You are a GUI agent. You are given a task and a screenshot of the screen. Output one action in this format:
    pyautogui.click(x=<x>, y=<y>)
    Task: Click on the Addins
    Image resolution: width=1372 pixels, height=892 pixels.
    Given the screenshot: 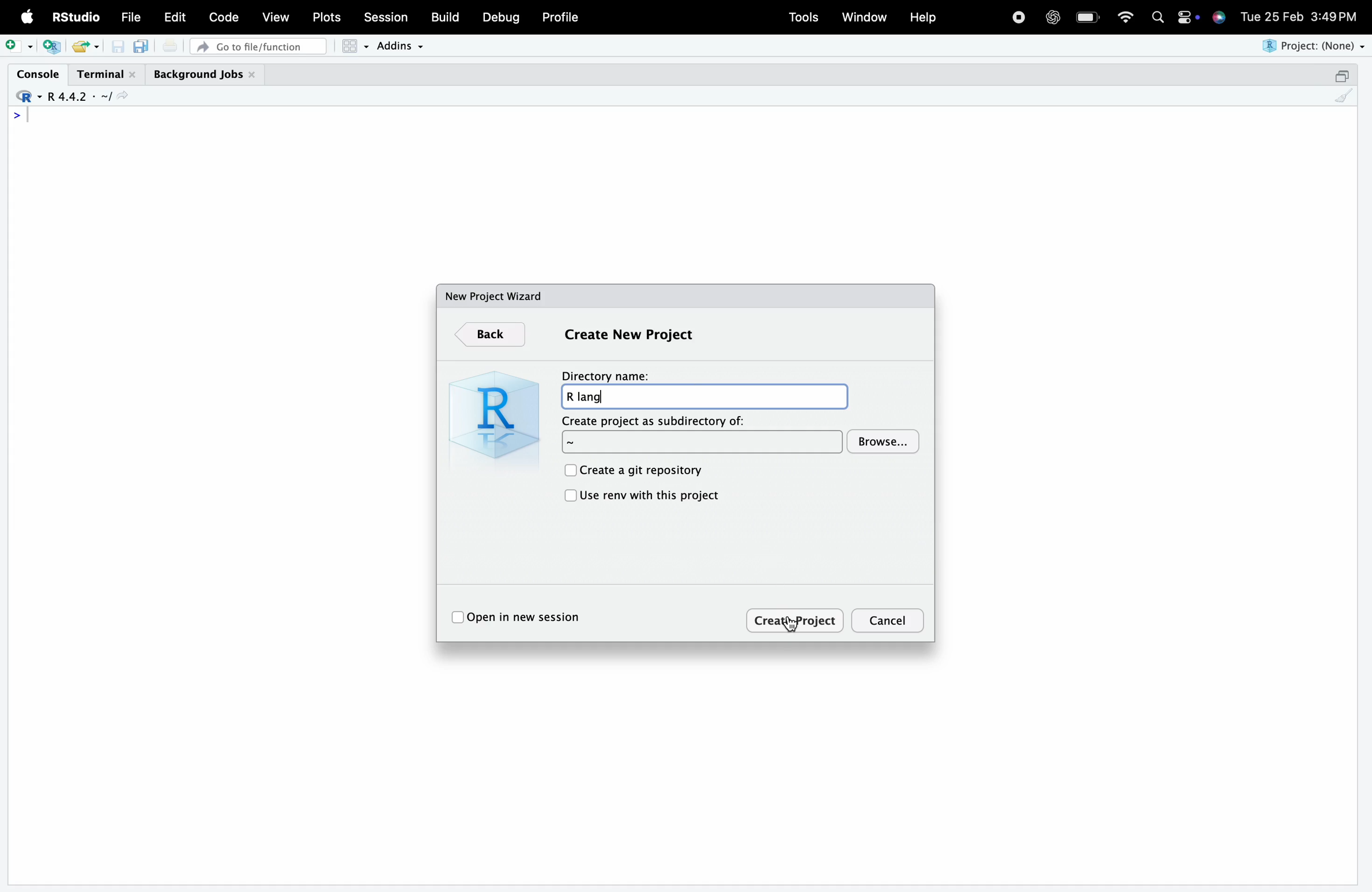 What is the action you would take?
    pyautogui.click(x=399, y=46)
    